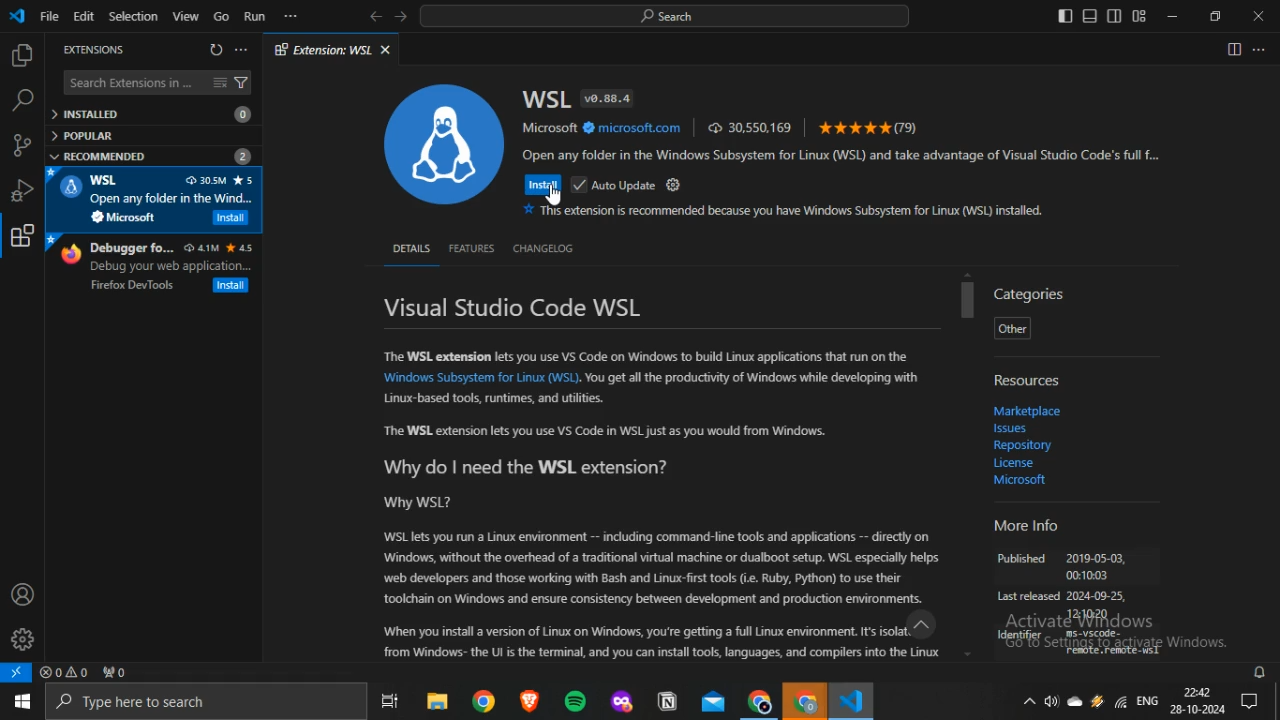 This screenshot has width=1280, height=720. I want to click on 30.5M 5, so click(219, 180).